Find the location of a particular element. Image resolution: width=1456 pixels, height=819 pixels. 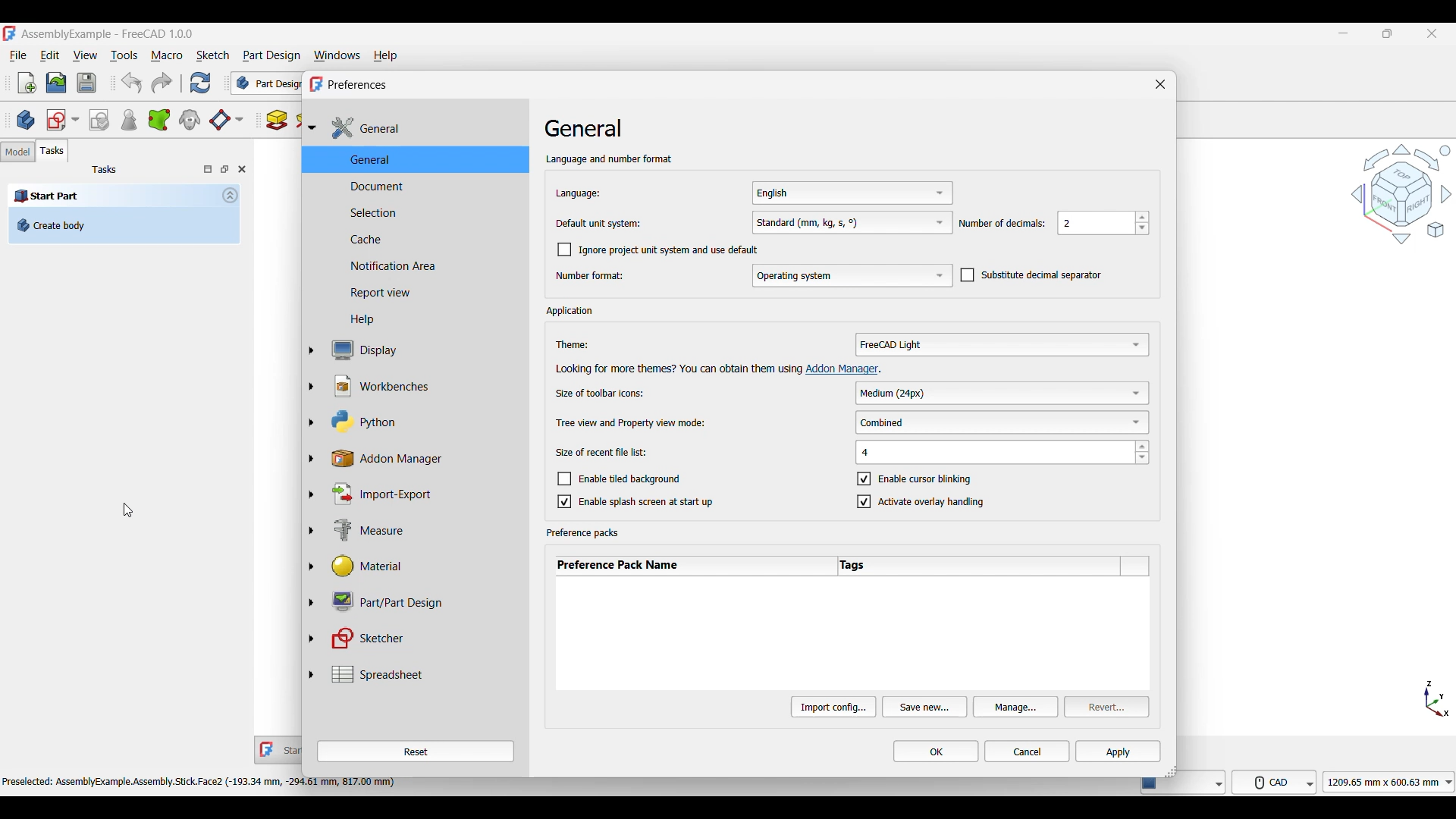

Redo is located at coordinates (162, 83).